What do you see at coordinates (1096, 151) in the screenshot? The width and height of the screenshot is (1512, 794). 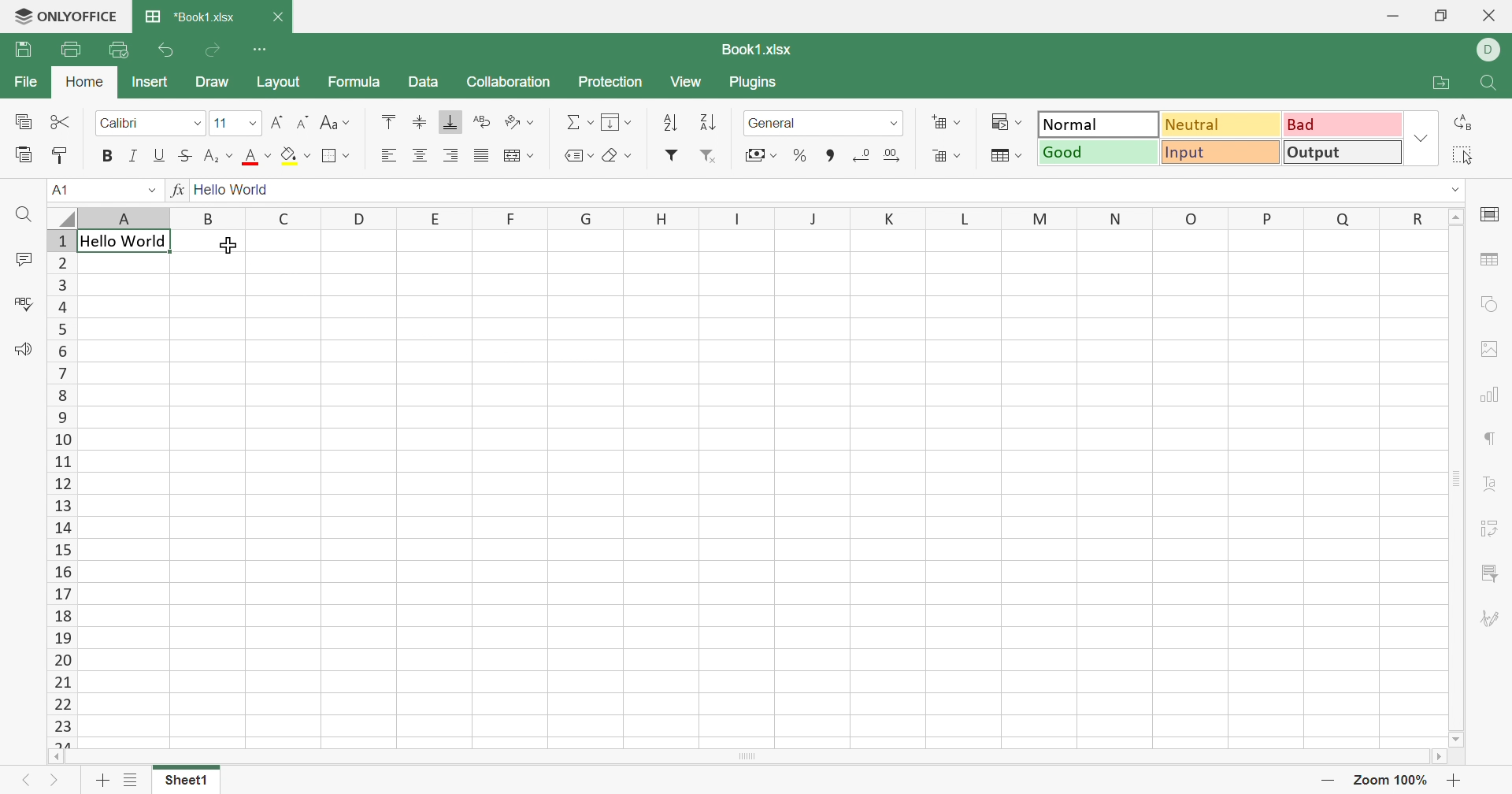 I see `Good` at bounding box center [1096, 151].